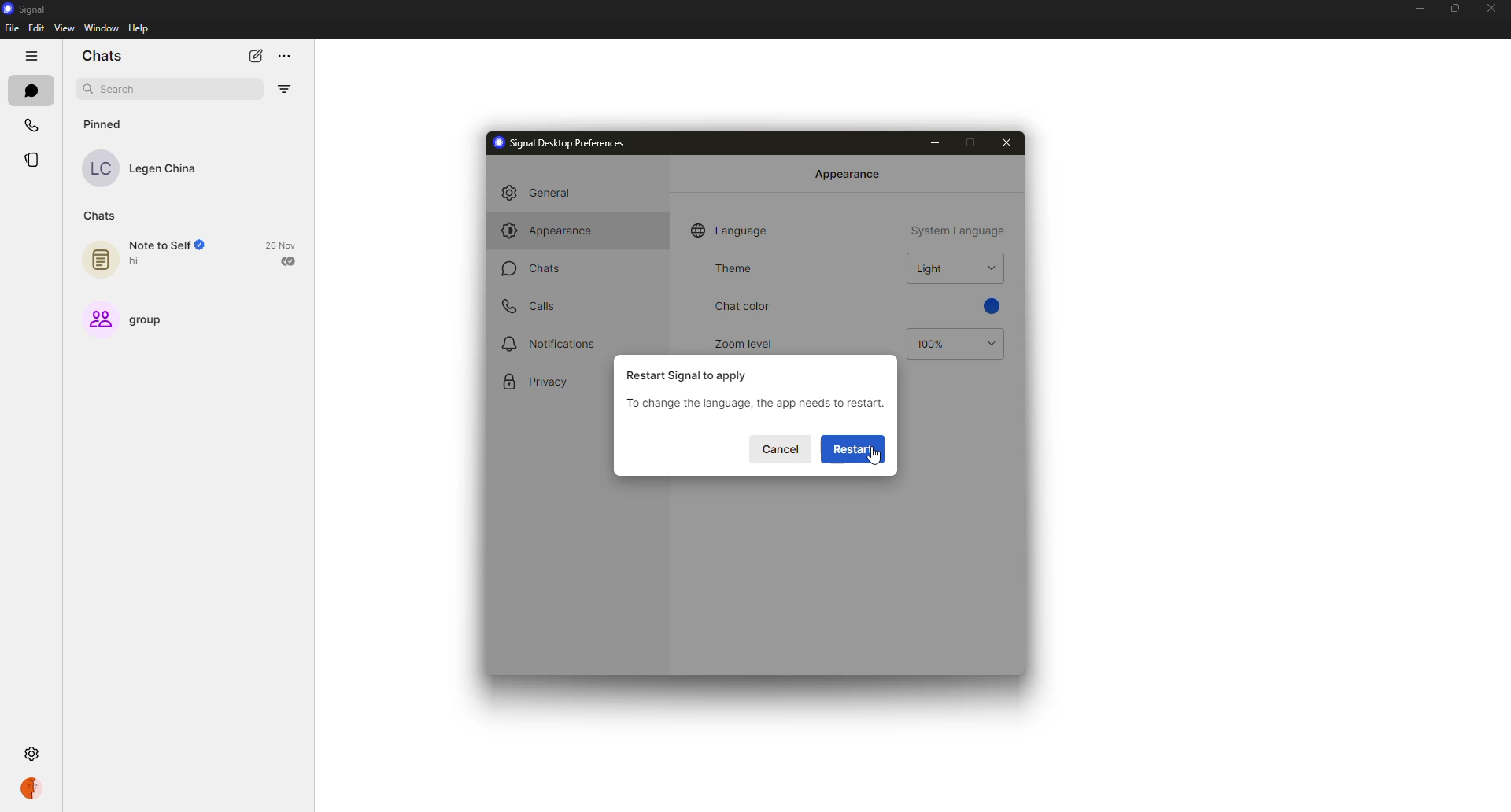  What do you see at coordinates (536, 305) in the screenshot?
I see `calls` at bounding box center [536, 305].